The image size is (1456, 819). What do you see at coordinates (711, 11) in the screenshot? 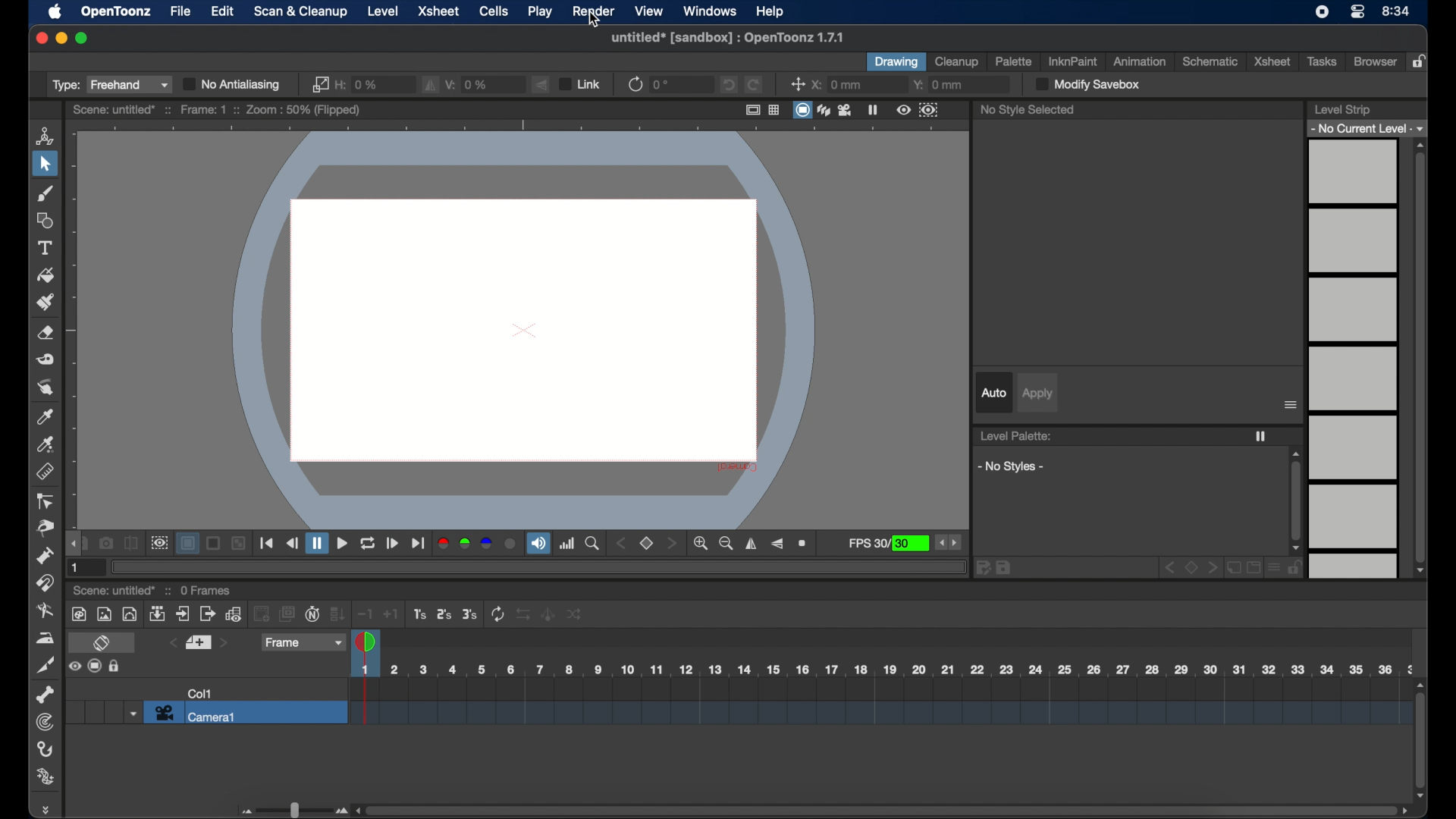
I see `windows` at bounding box center [711, 11].